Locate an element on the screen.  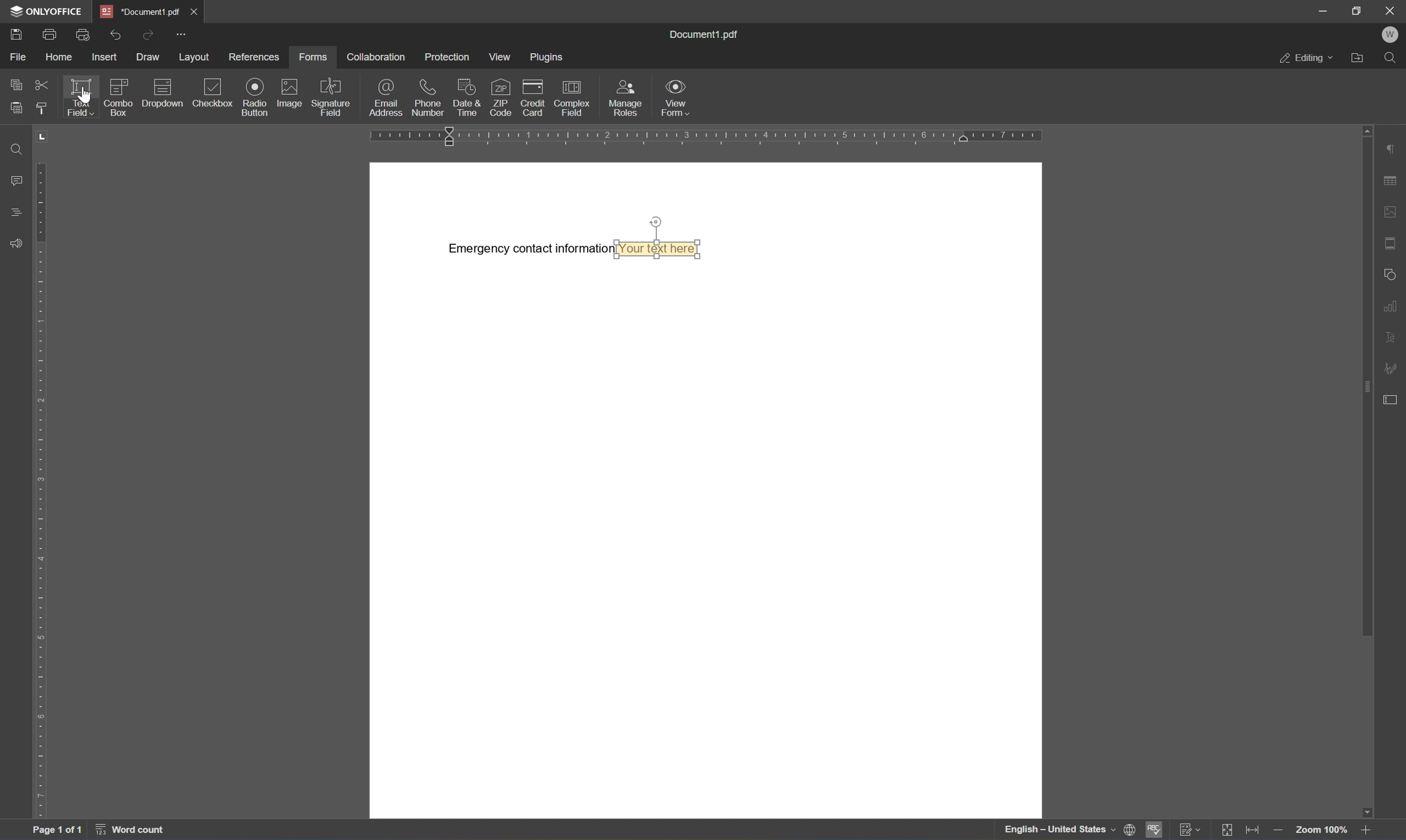
text field is located at coordinates (76, 96).